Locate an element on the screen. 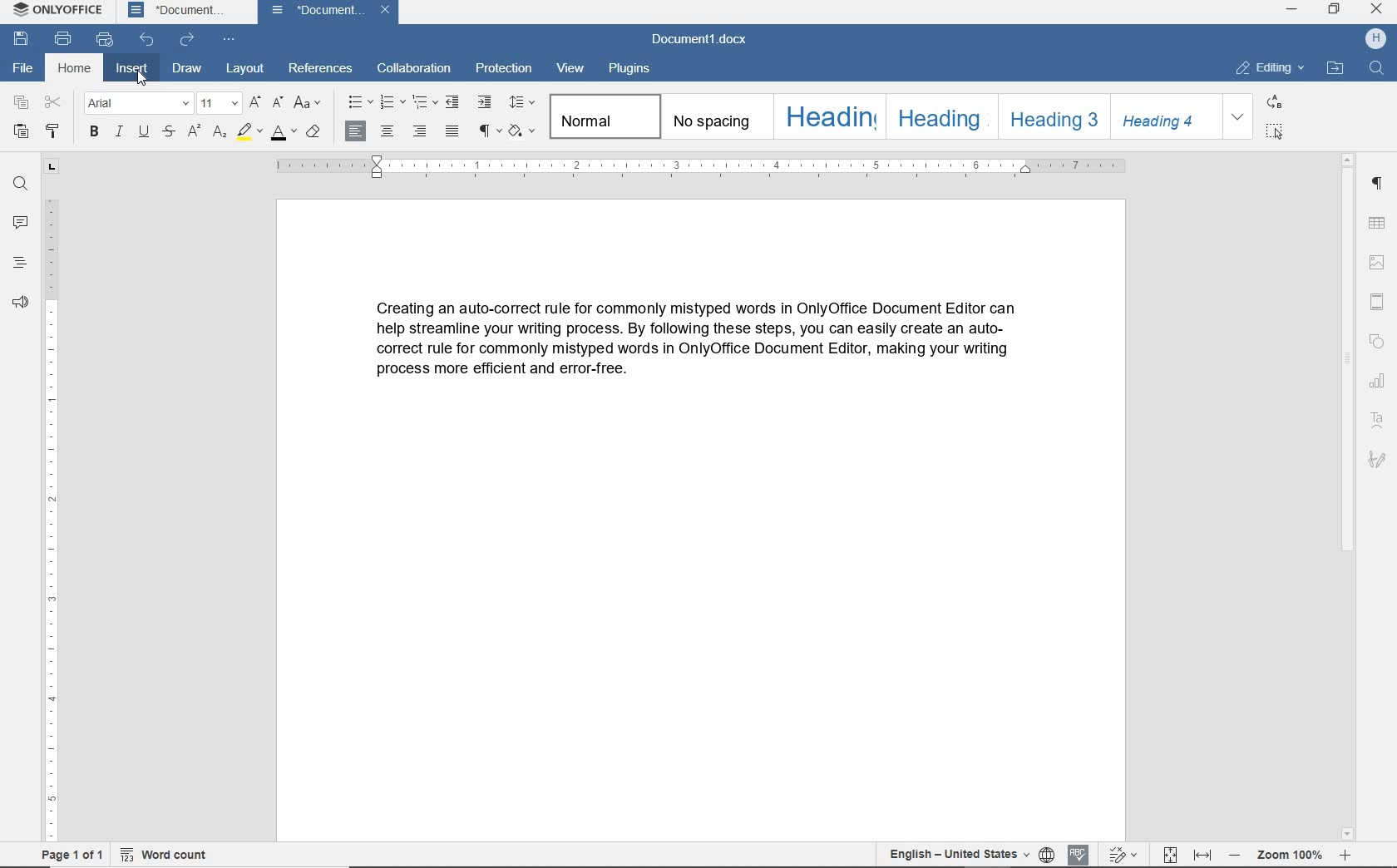 Image resolution: width=1397 pixels, height=868 pixels. select all is located at coordinates (1276, 133).